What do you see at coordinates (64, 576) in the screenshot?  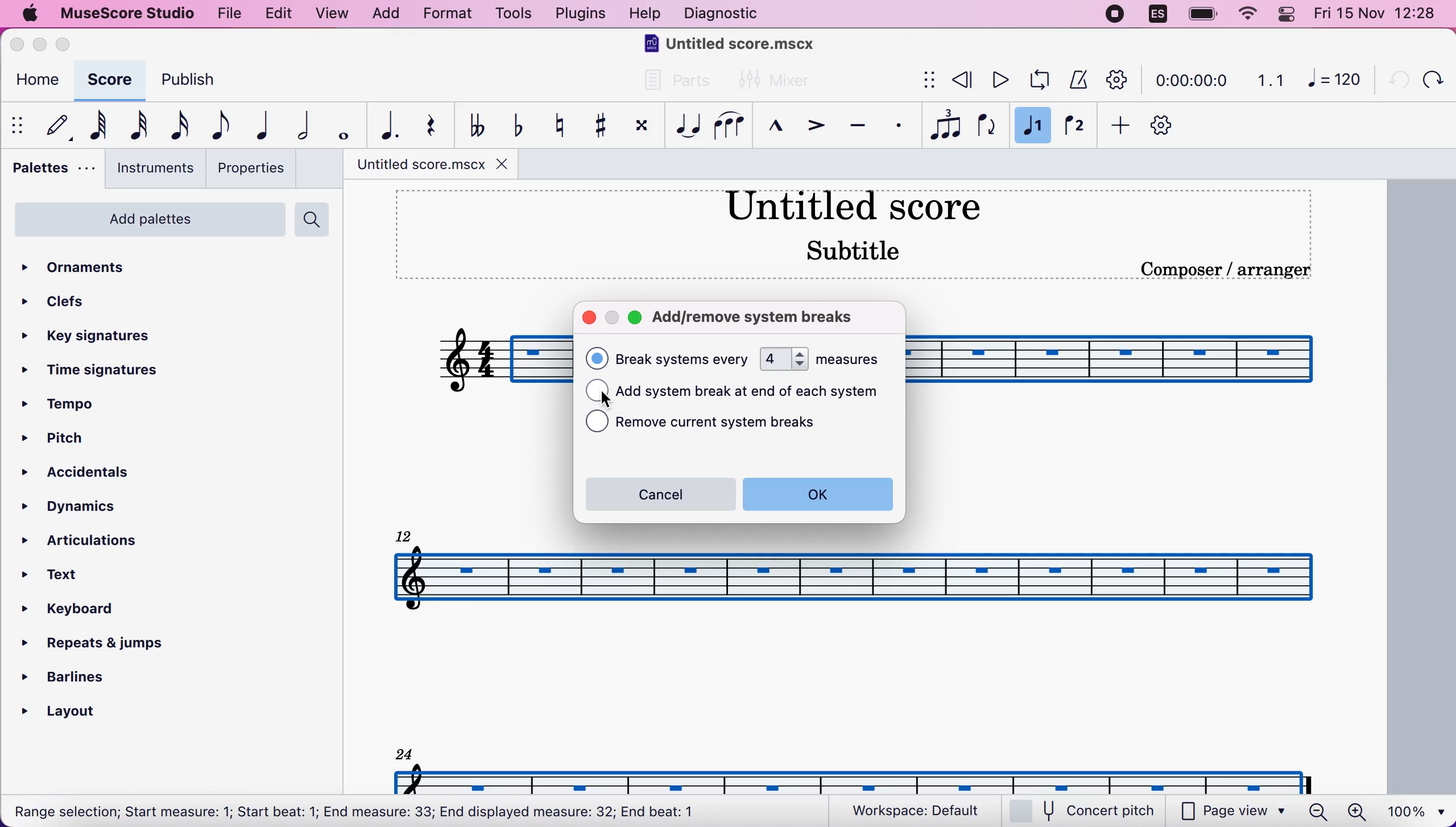 I see `text` at bounding box center [64, 576].